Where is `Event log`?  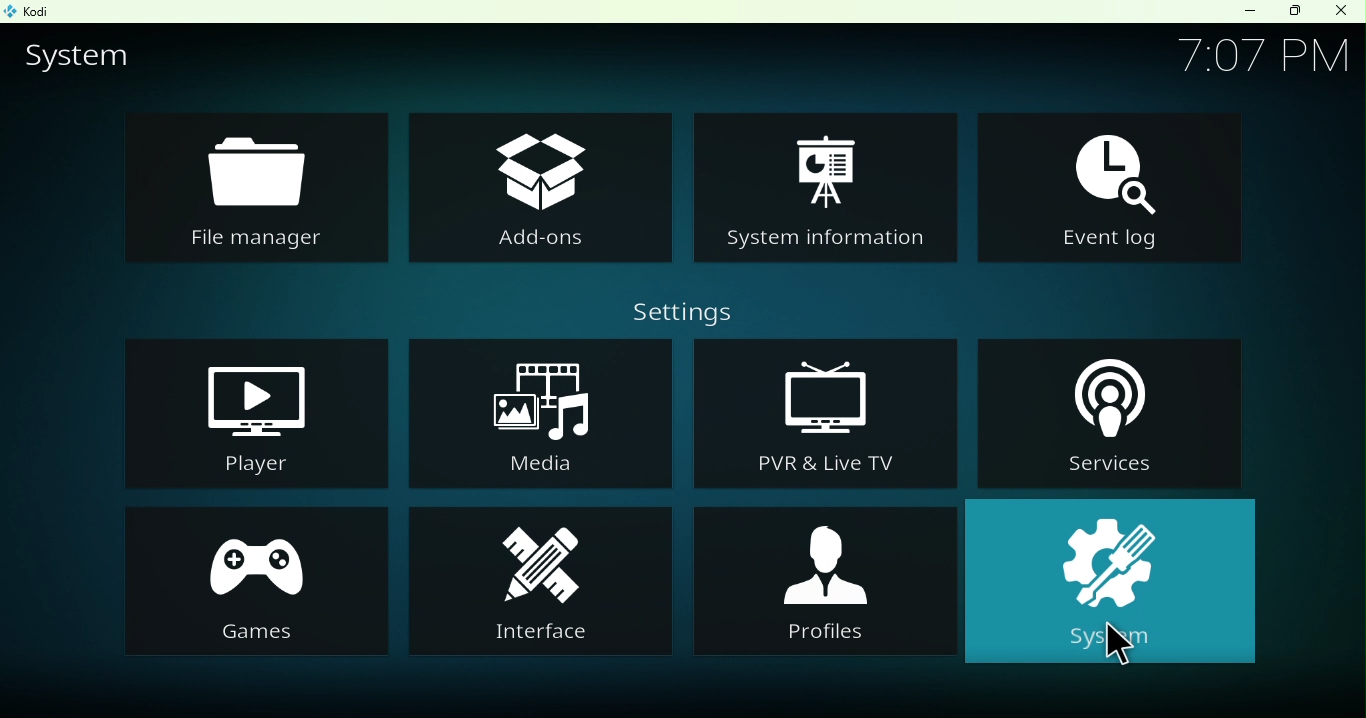
Event log is located at coordinates (1114, 185).